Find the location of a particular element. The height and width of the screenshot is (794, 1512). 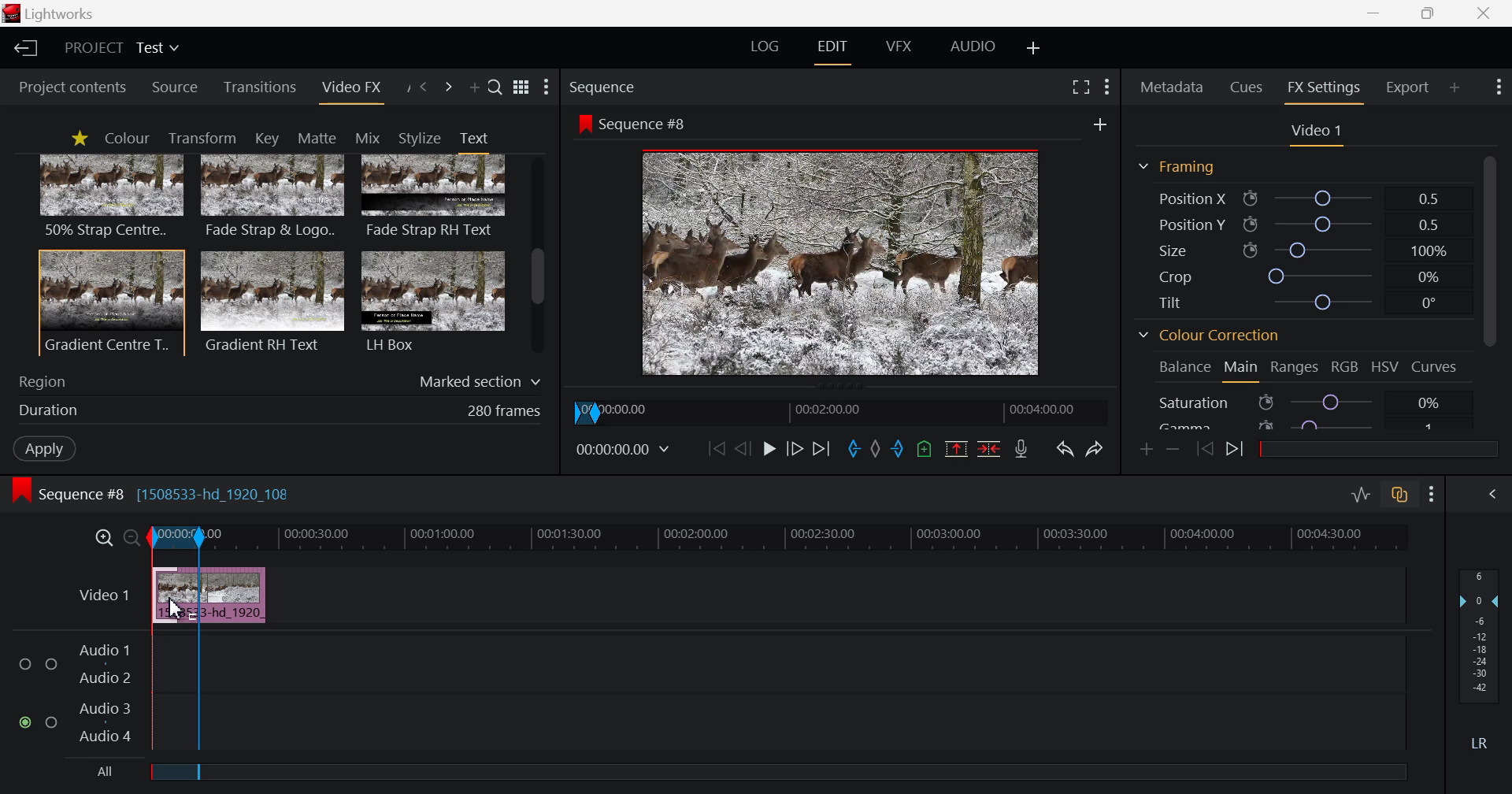

VFX Layout is located at coordinates (902, 46).